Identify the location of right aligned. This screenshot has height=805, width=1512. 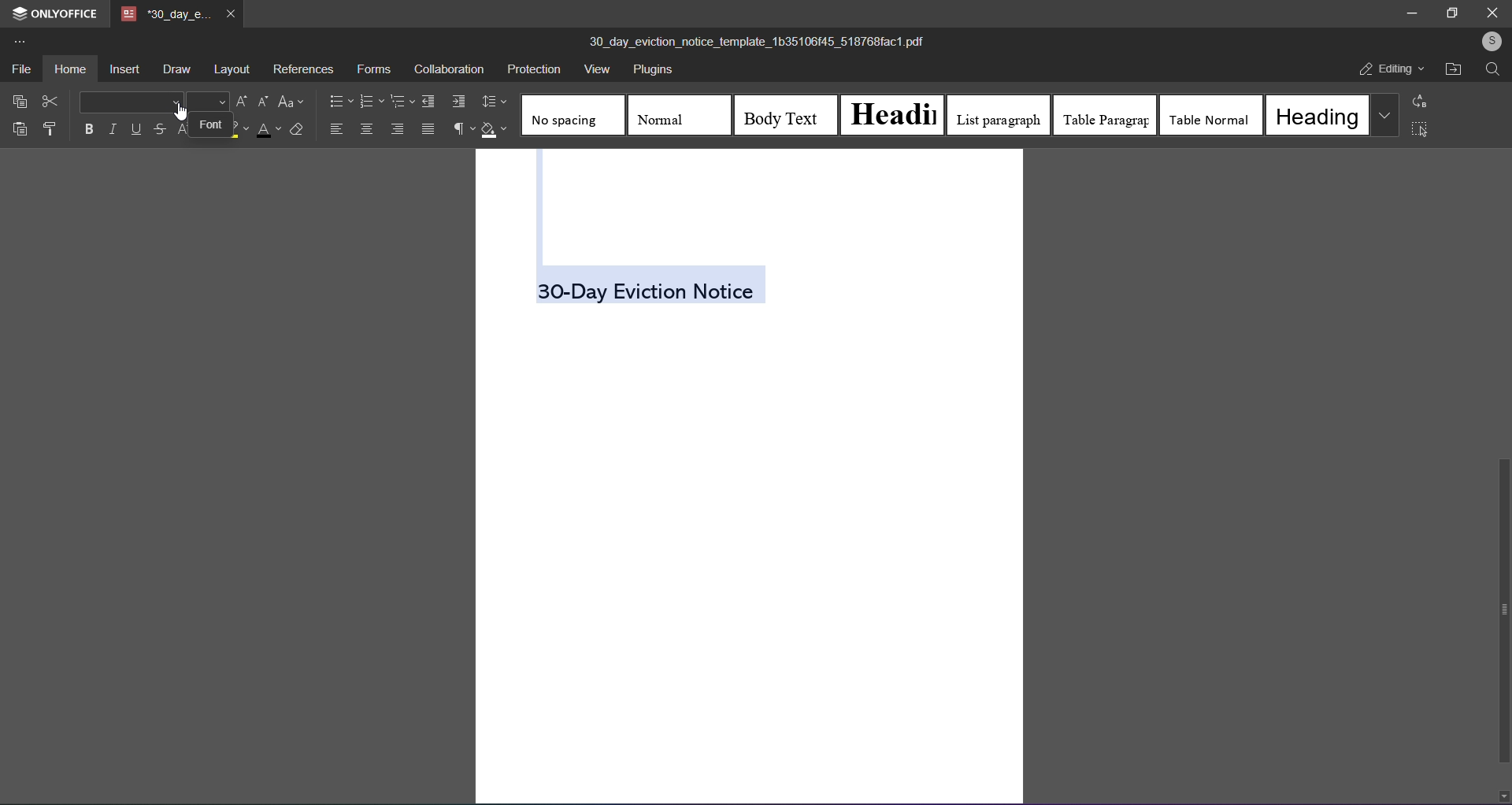
(396, 129).